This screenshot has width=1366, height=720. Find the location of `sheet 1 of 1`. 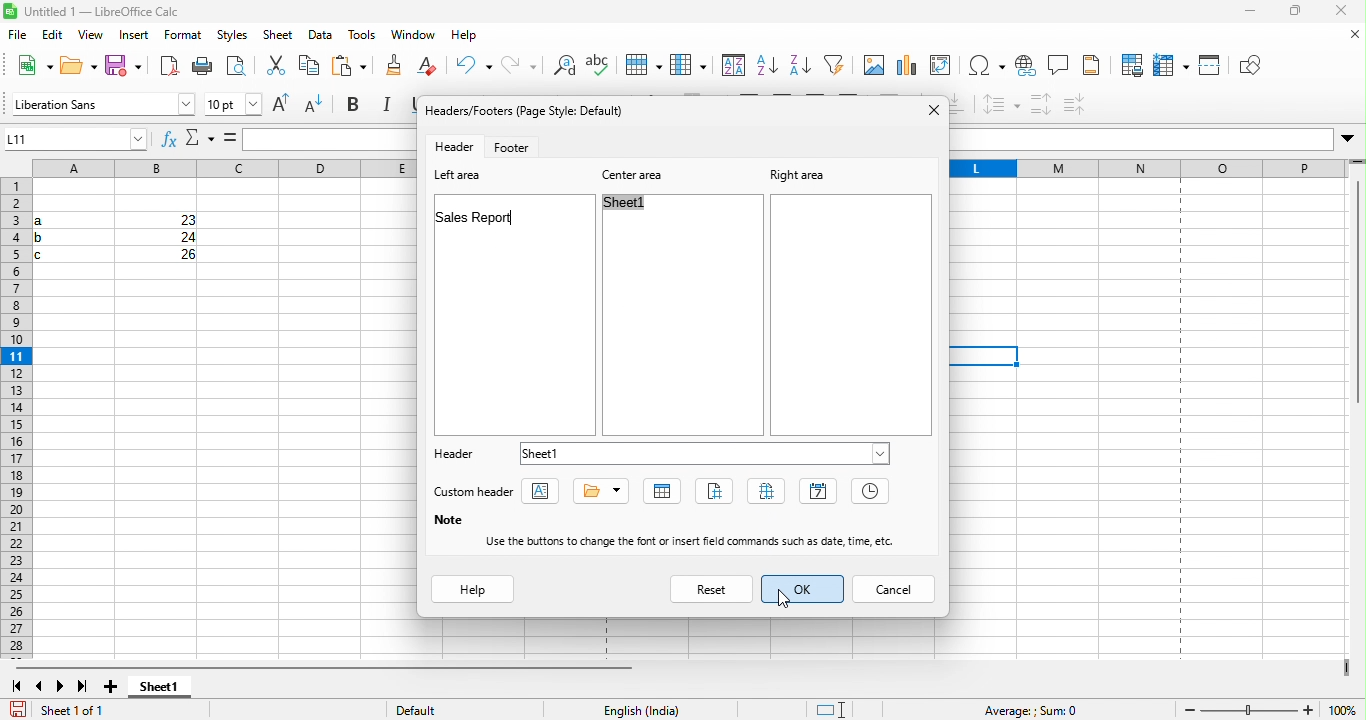

sheet 1 of 1 is located at coordinates (66, 707).